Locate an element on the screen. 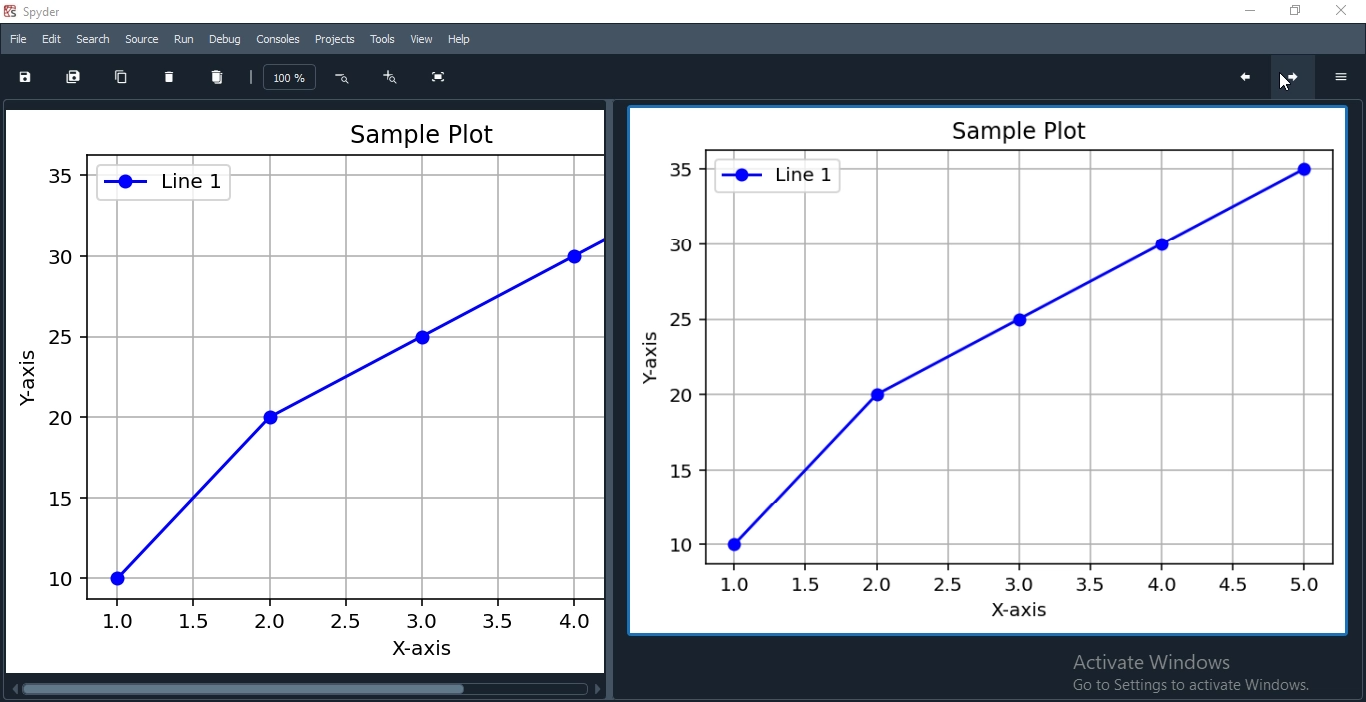  previous chat is located at coordinates (1245, 78).